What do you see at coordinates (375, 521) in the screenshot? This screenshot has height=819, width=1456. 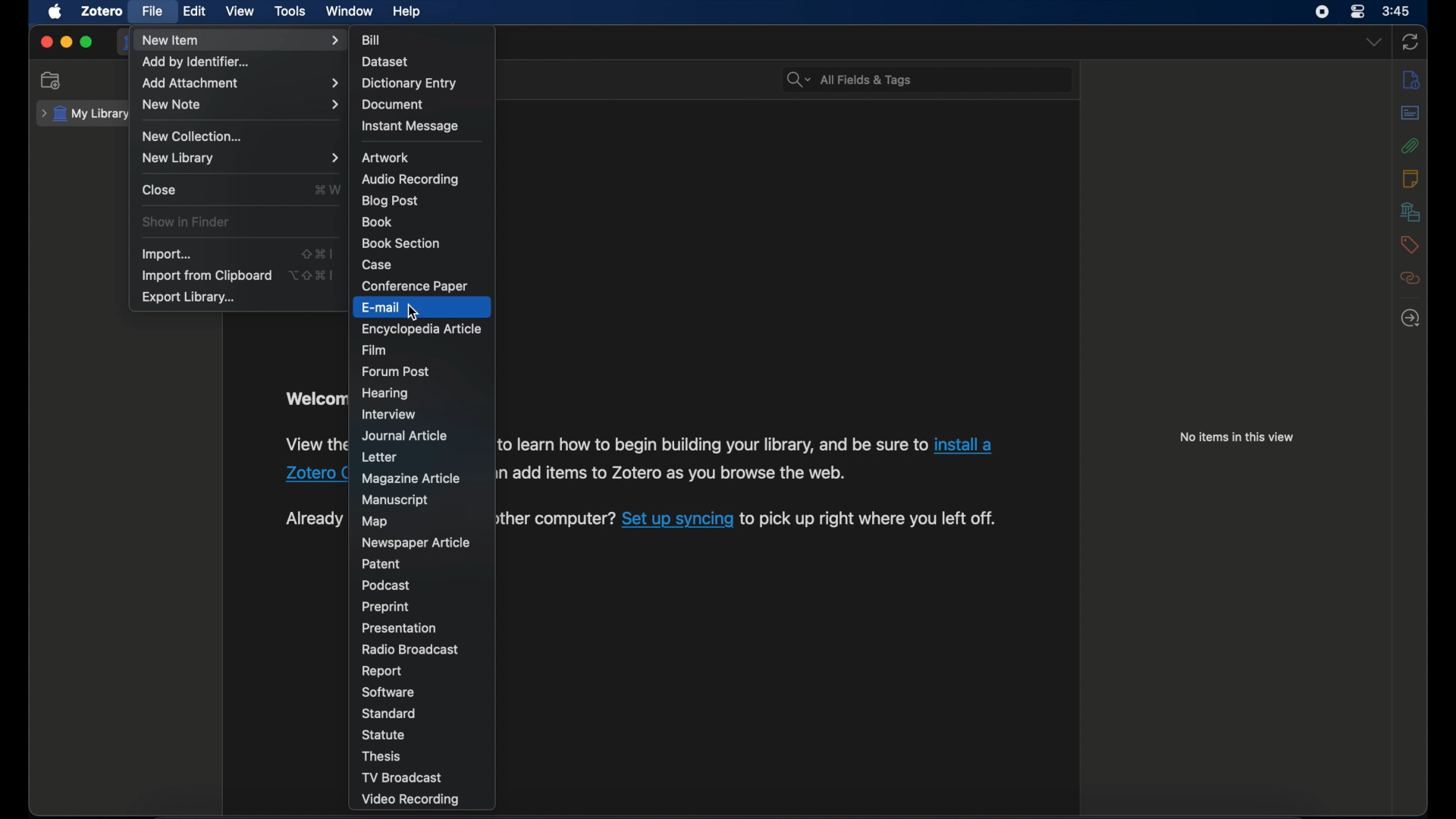 I see `map` at bounding box center [375, 521].